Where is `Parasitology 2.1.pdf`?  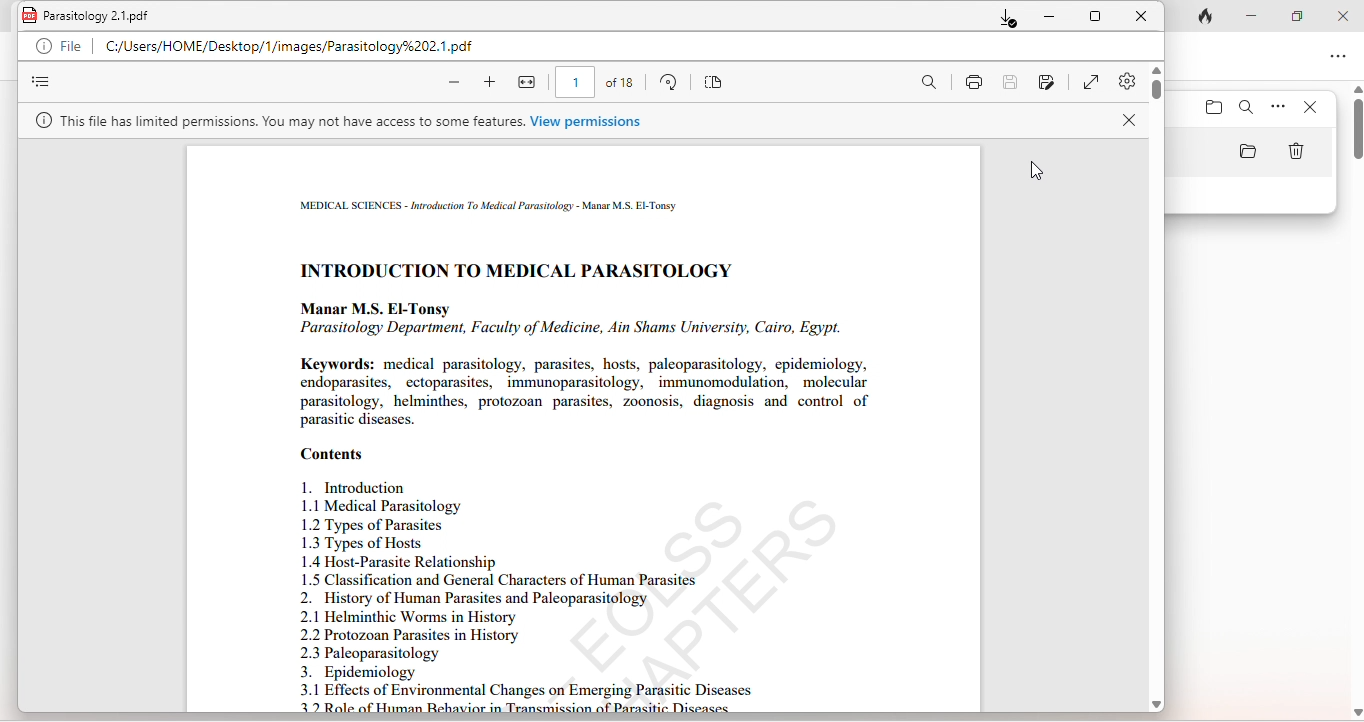 Parasitology 2.1.pdf is located at coordinates (92, 17).